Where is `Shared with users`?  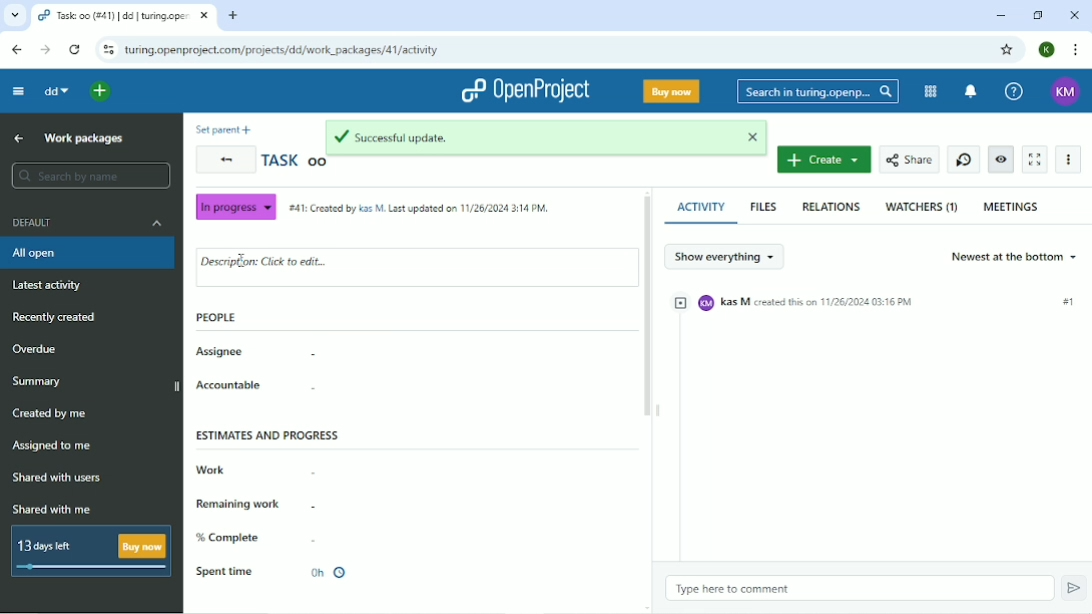 Shared with users is located at coordinates (59, 478).